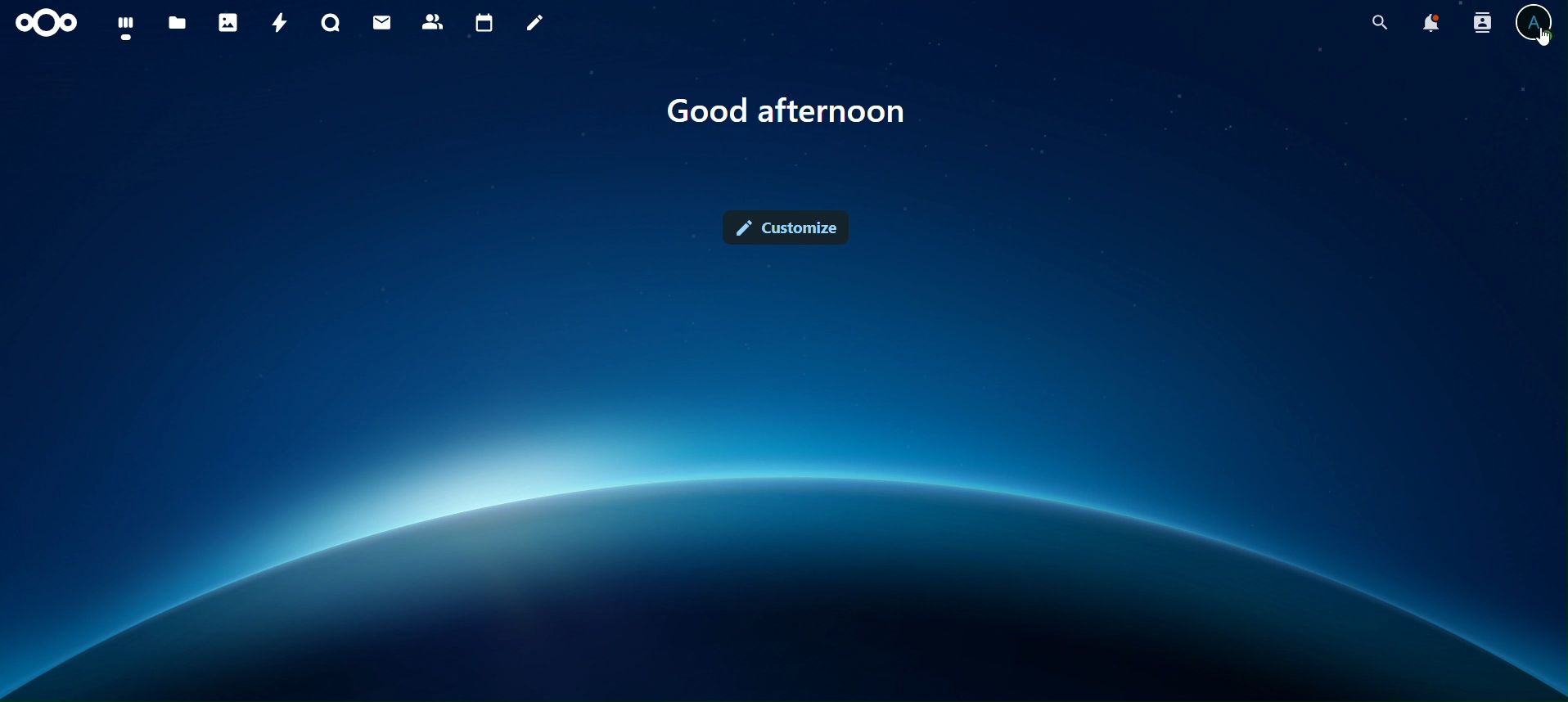  I want to click on files, so click(177, 24).